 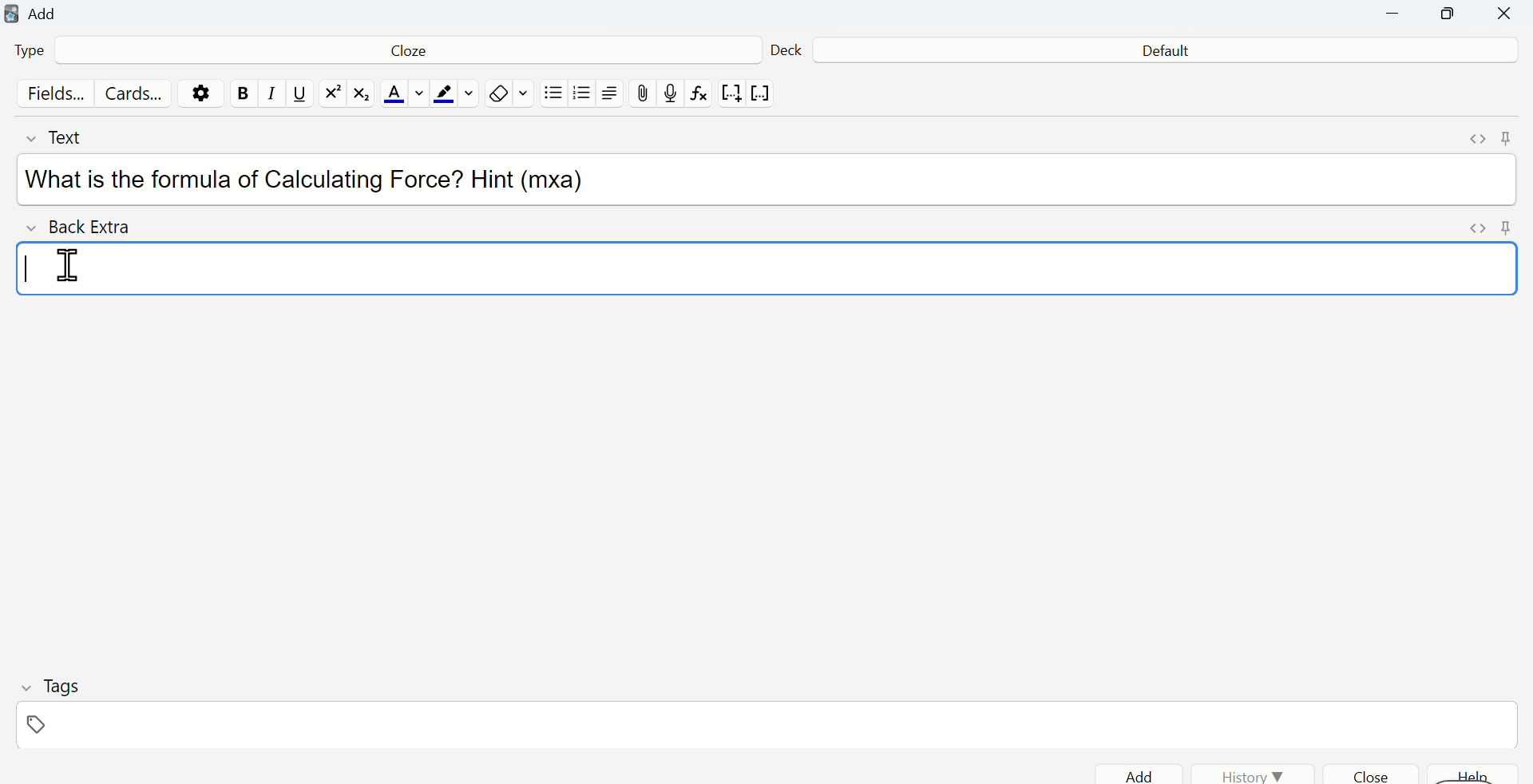 I want to click on Deck, so click(x=786, y=47).